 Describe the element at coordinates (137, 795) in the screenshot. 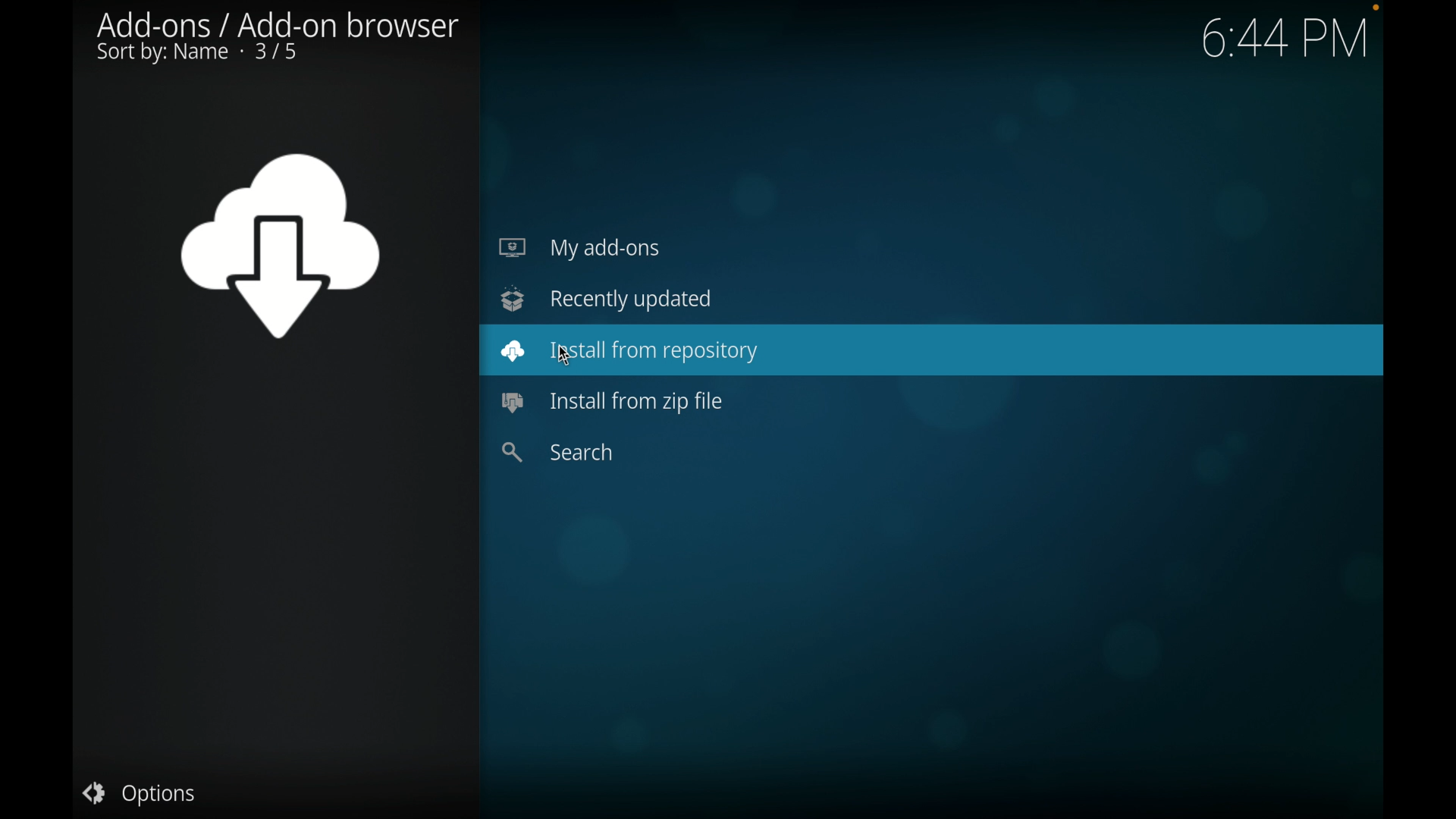

I see `options` at that location.